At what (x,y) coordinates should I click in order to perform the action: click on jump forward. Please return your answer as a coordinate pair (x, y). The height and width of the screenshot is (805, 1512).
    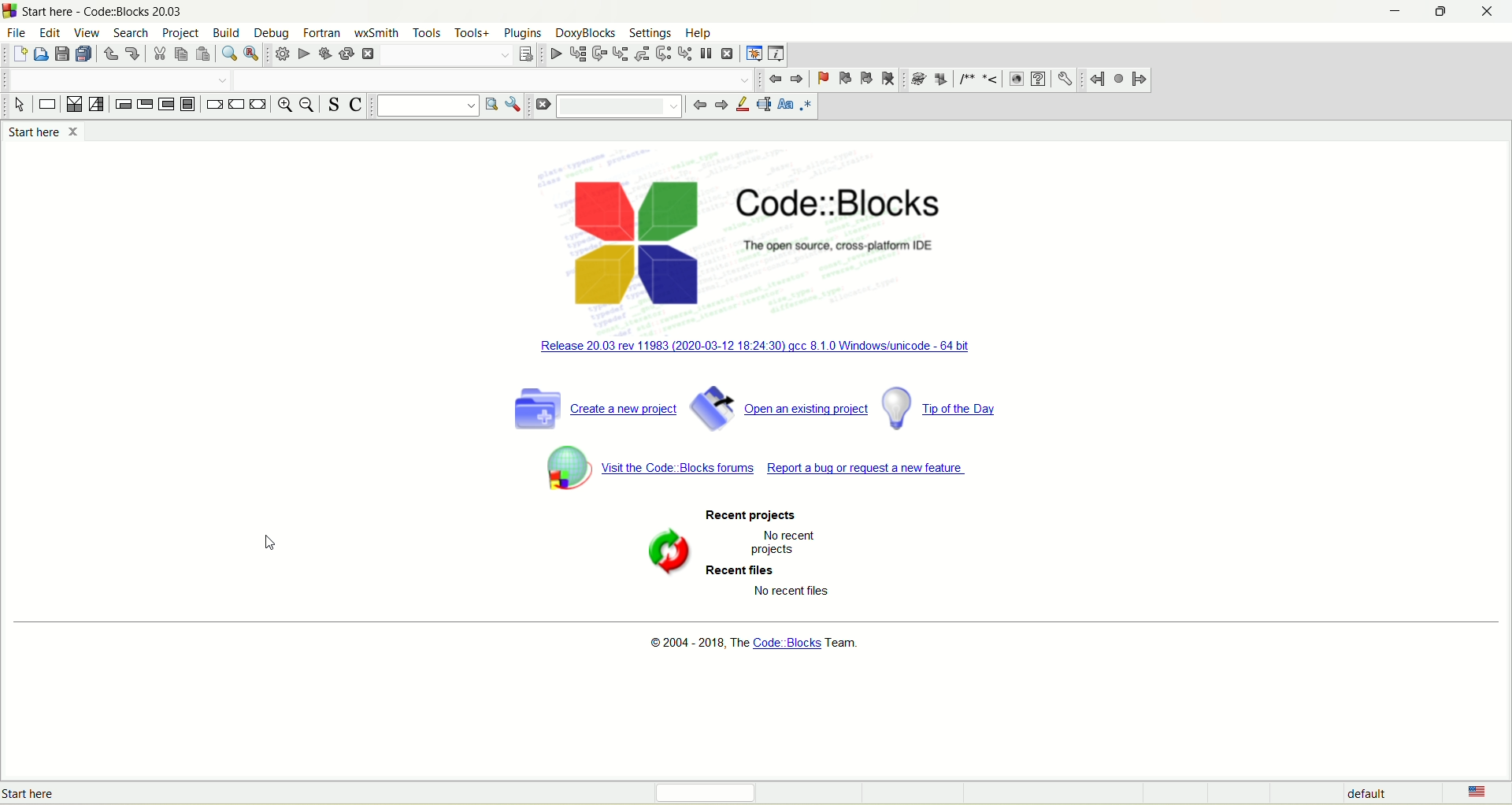
    Looking at the image, I should click on (796, 80).